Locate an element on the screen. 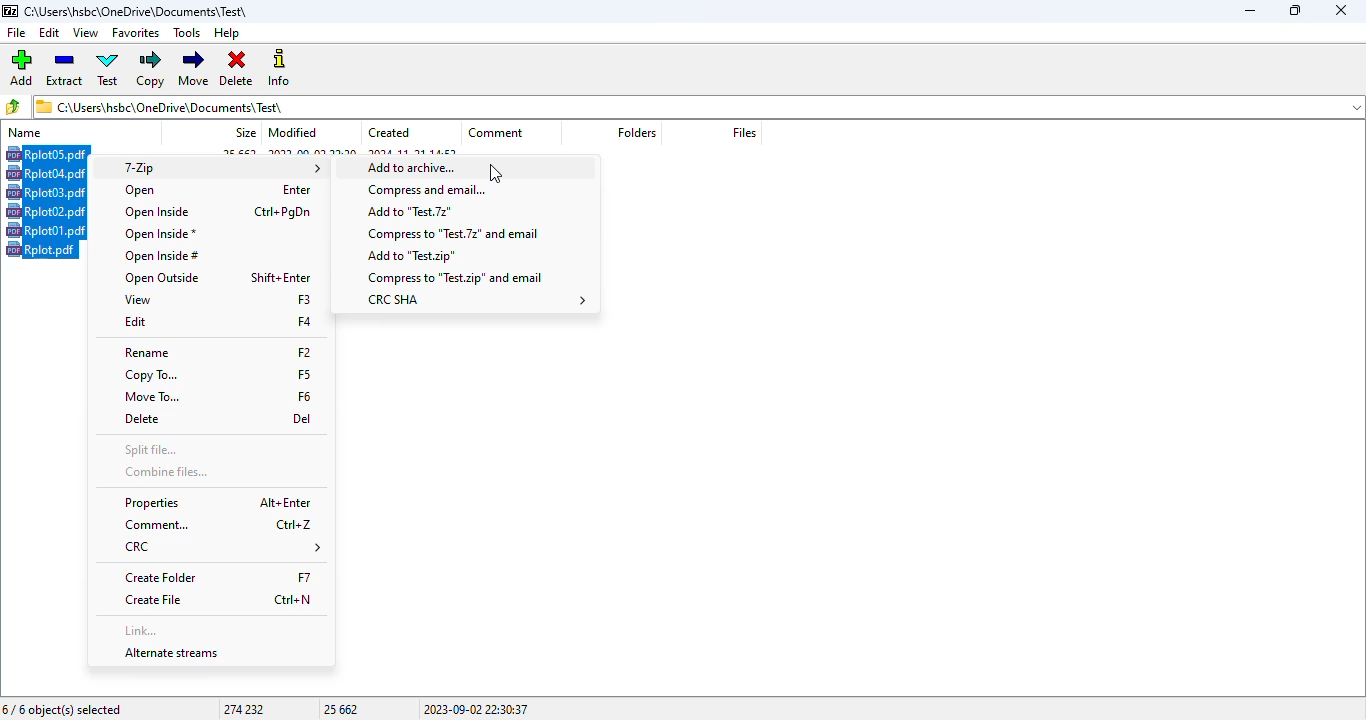 The width and height of the screenshot is (1366, 720). folders is located at coordinates (636, 133).